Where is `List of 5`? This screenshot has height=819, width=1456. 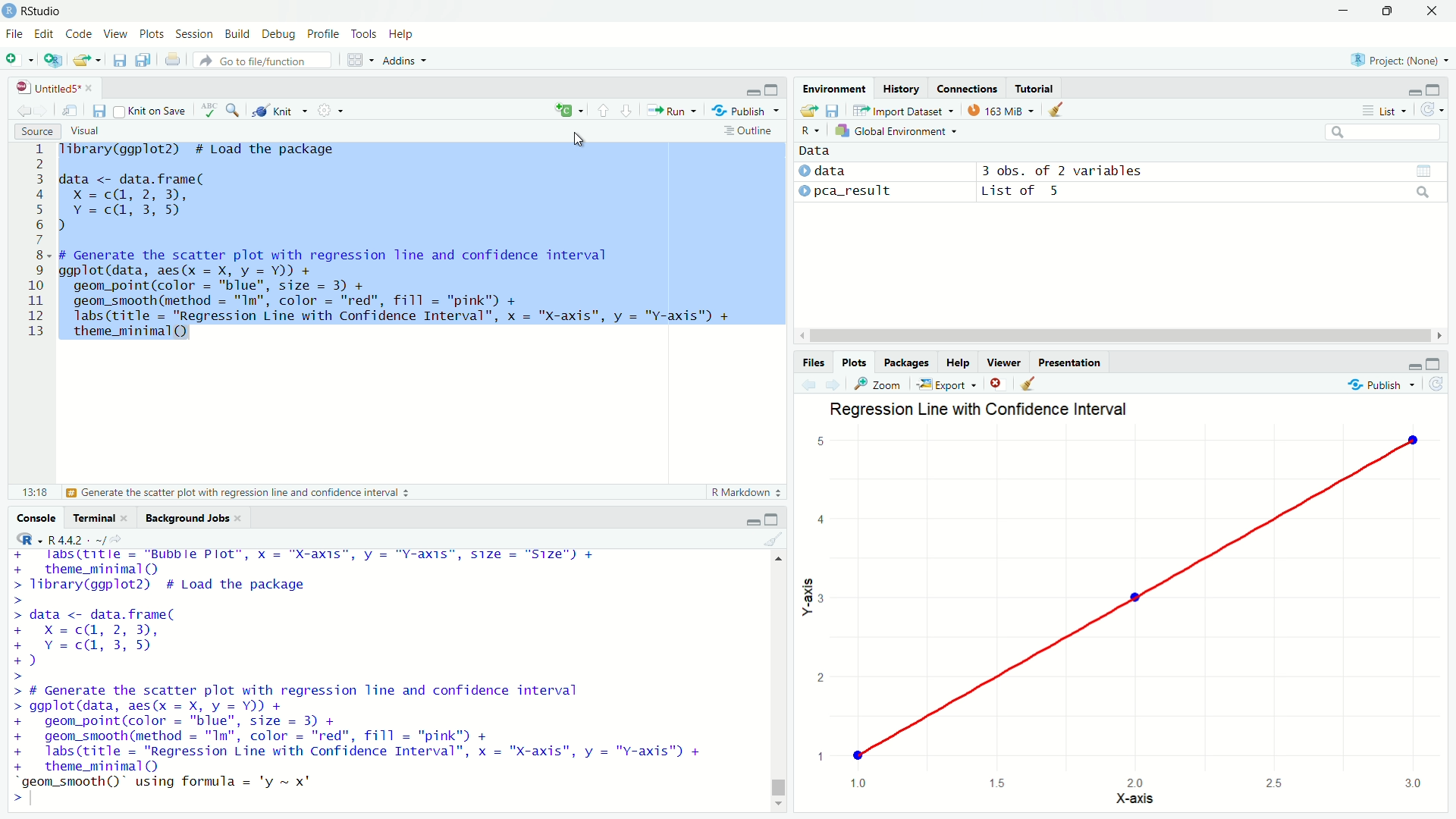
List of 5 is located at coordinates (1024, 191).